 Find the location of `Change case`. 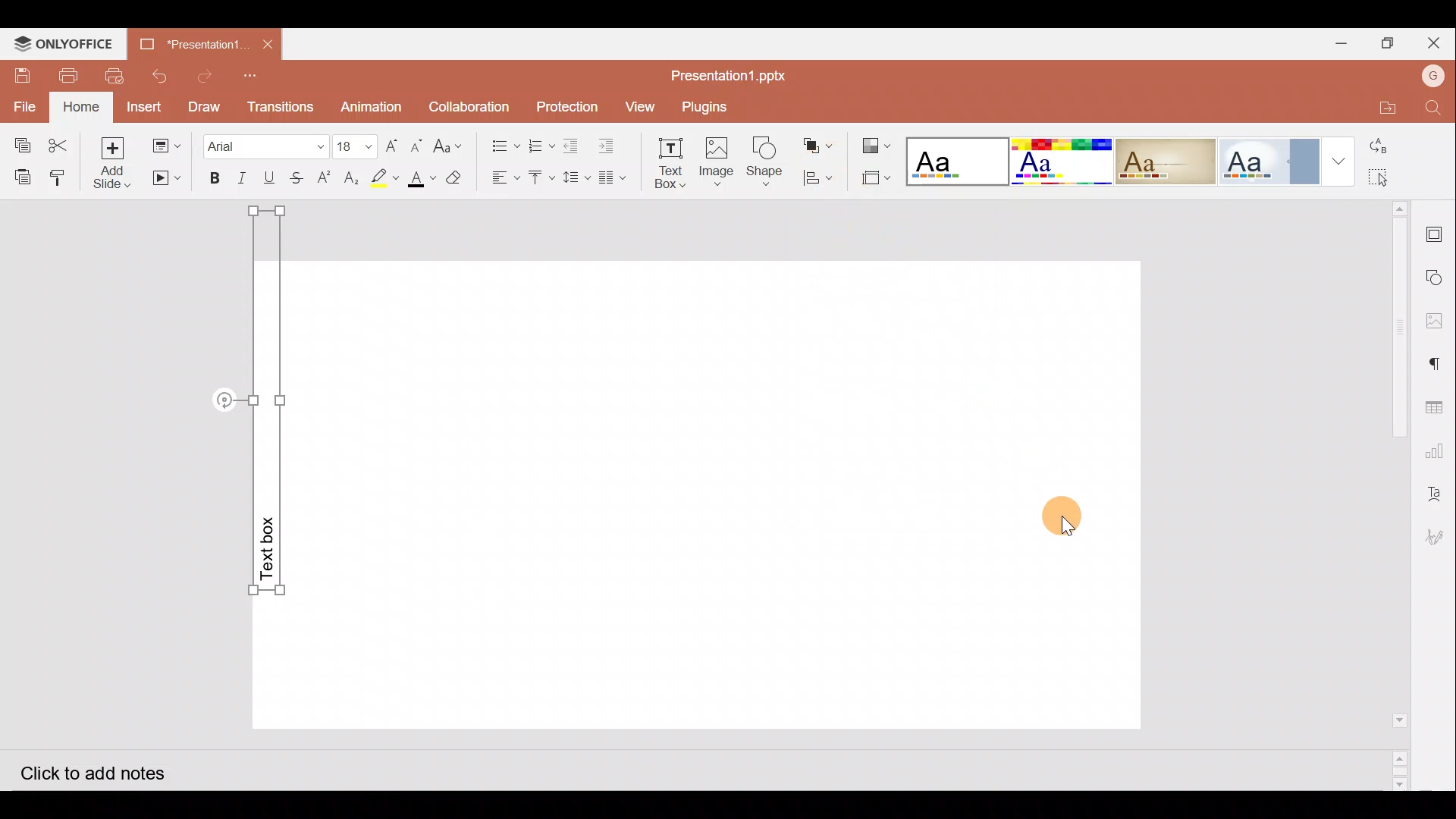

Change case is located at coordinates (451, 143).